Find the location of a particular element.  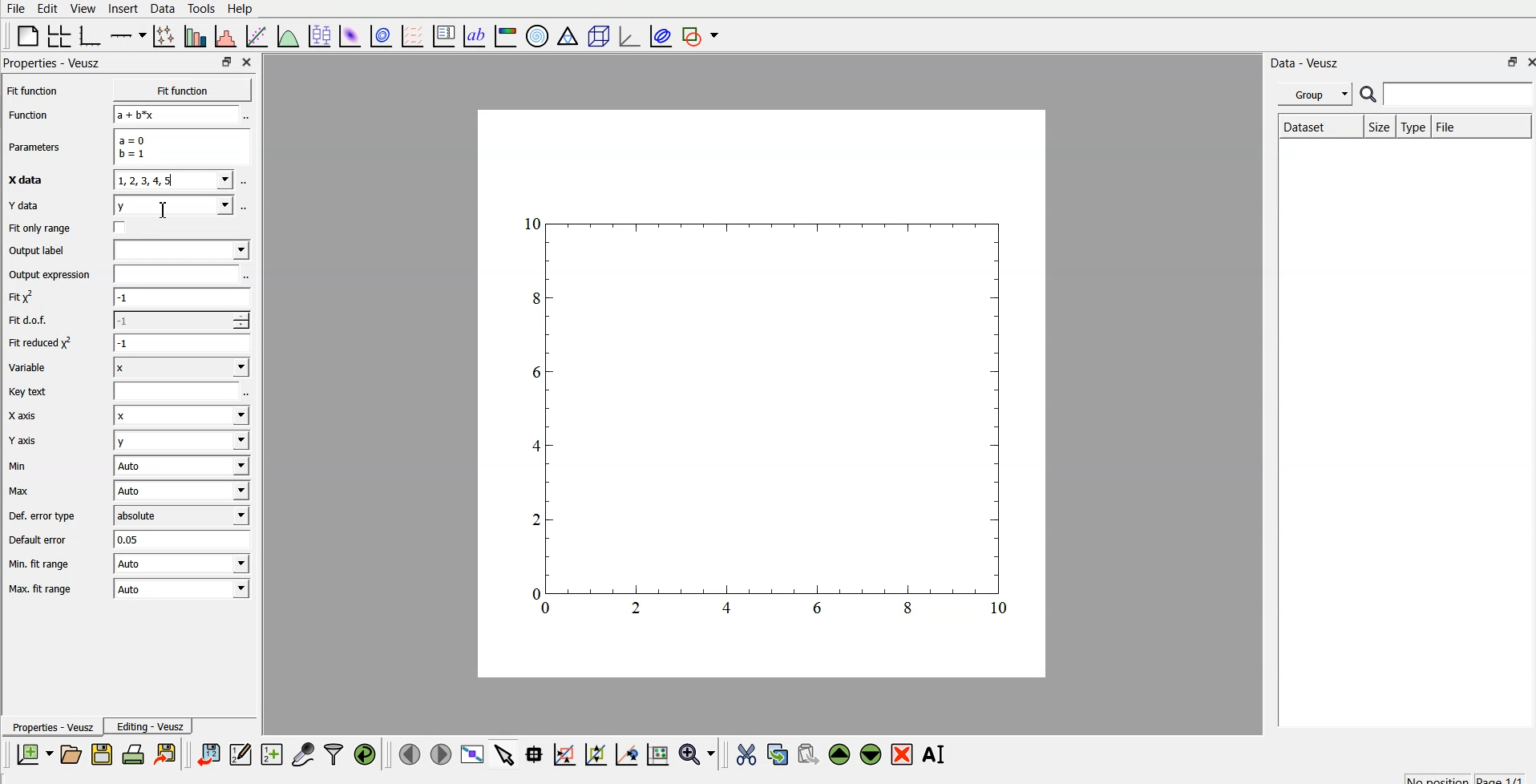

1,2,3,4,5 is located at coordinates (175, 180).